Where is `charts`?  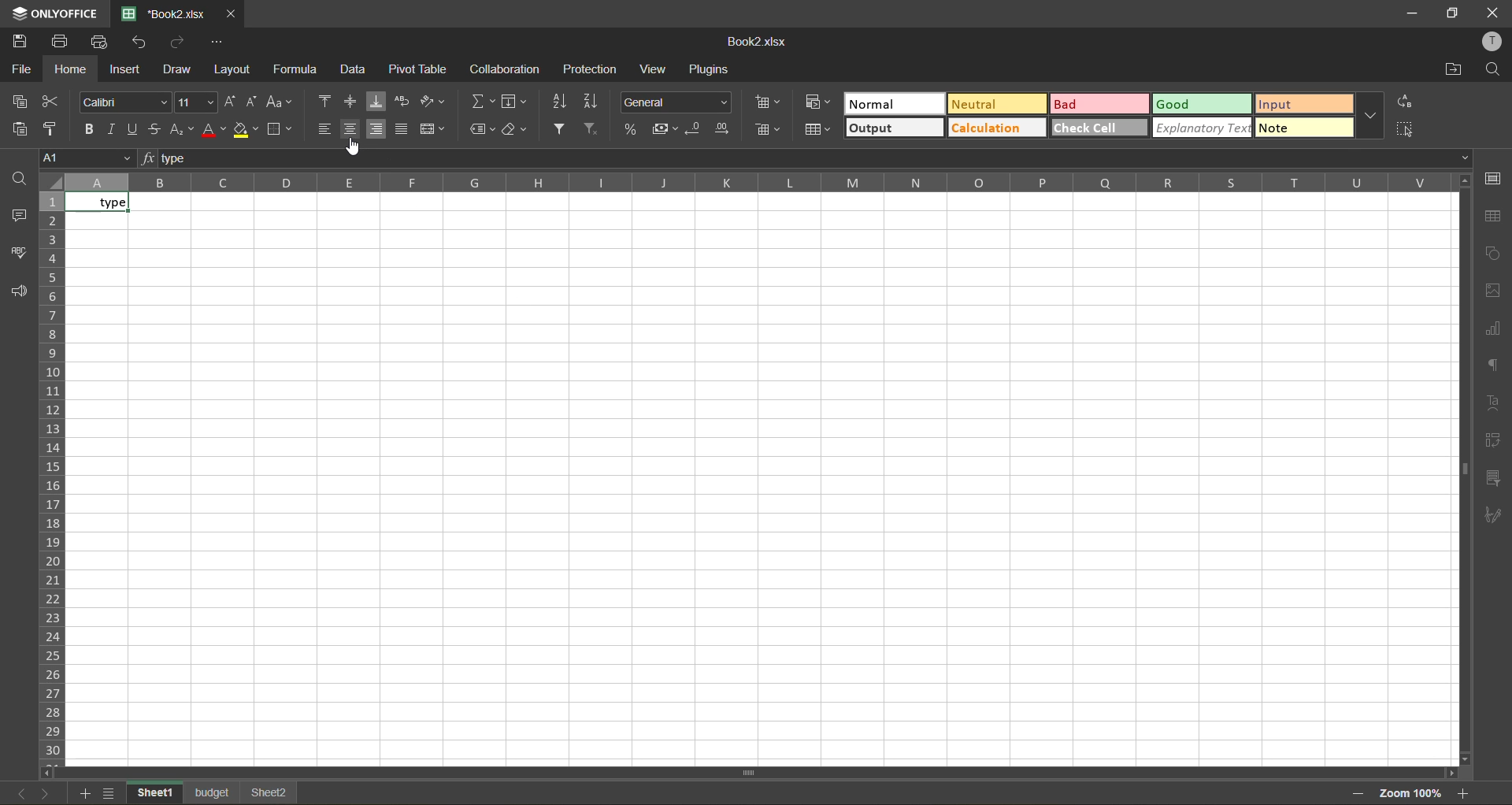
charts is located at coordinates (1495, 328).